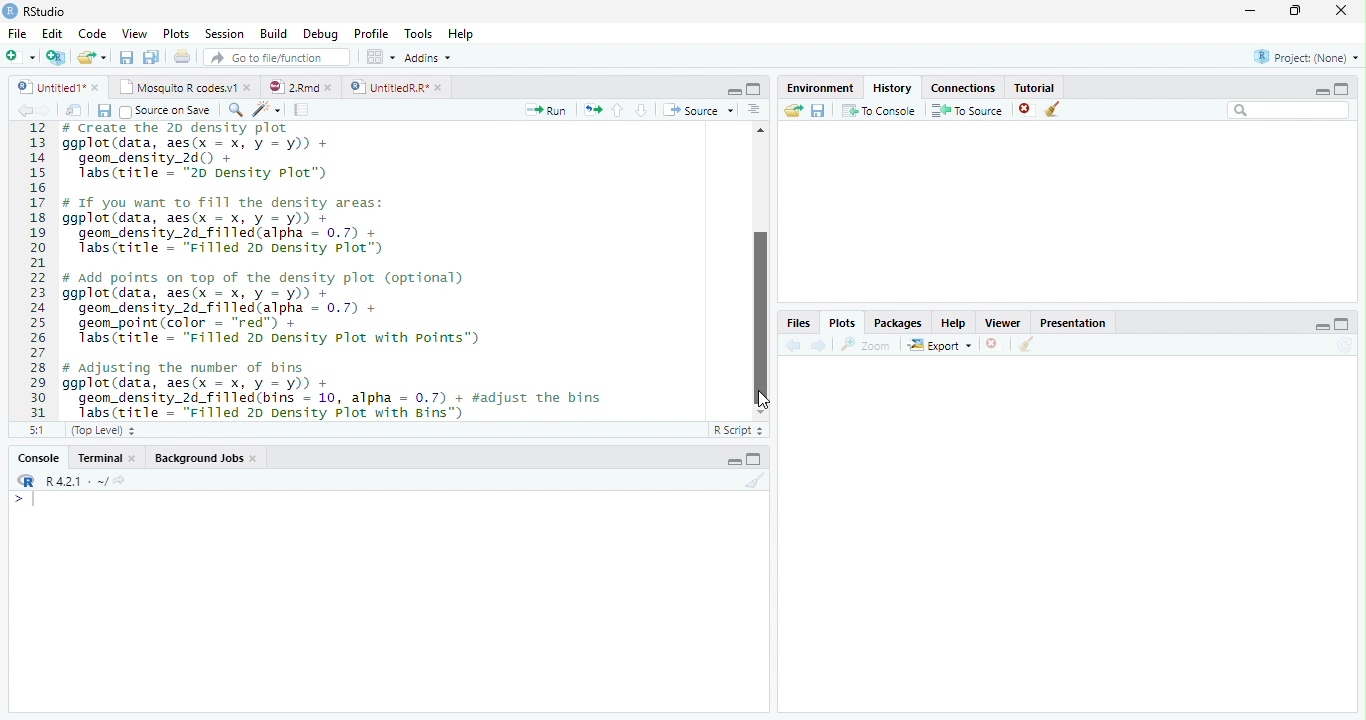 This screenshot has height=720, width=1366. What do you see at coordinates (841, 322) in the screenshot?
I see `Plots` at bounding box center [841, 322].